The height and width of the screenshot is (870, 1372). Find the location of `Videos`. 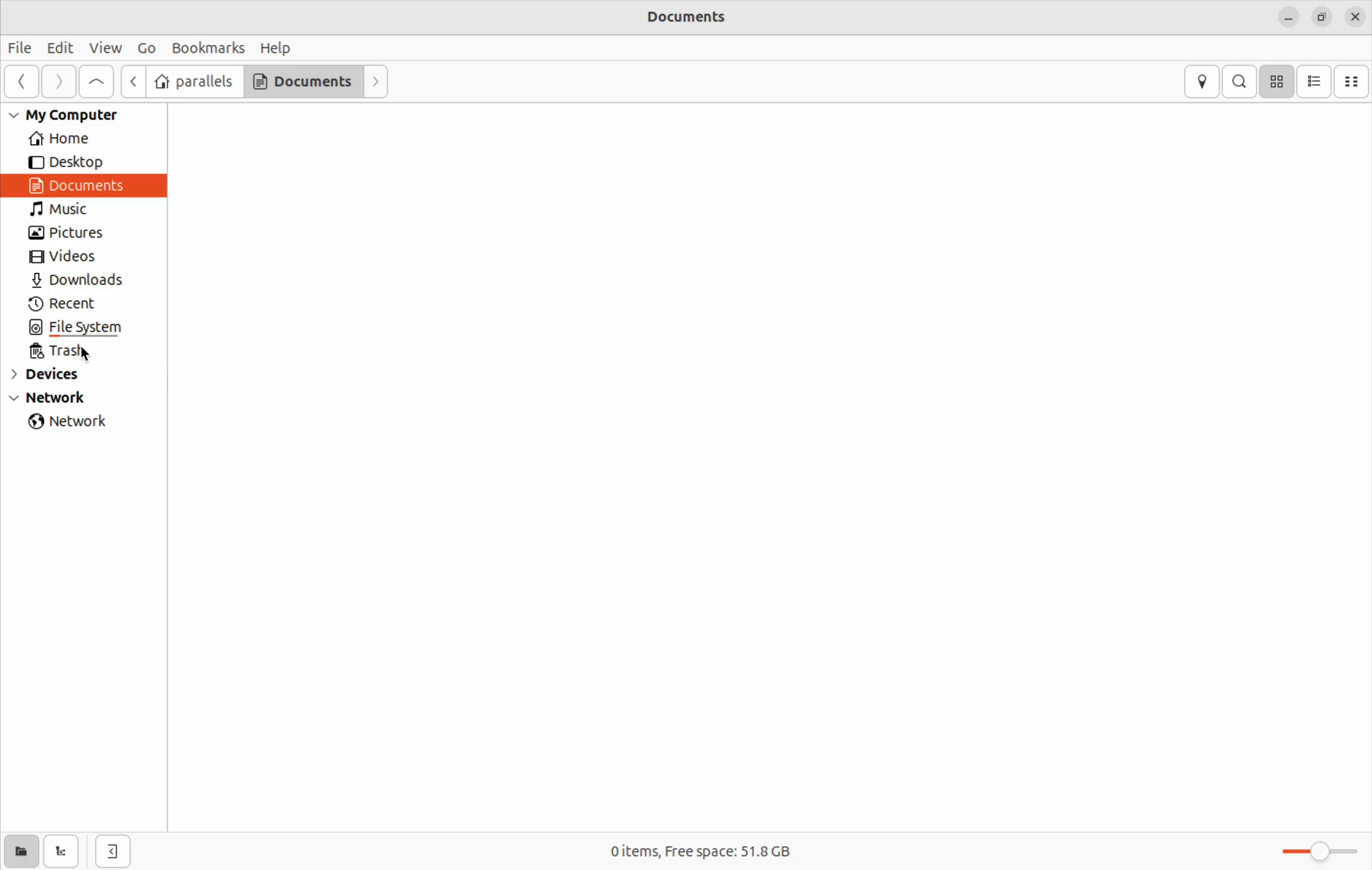

Videos is located at coordinates (76, 256).